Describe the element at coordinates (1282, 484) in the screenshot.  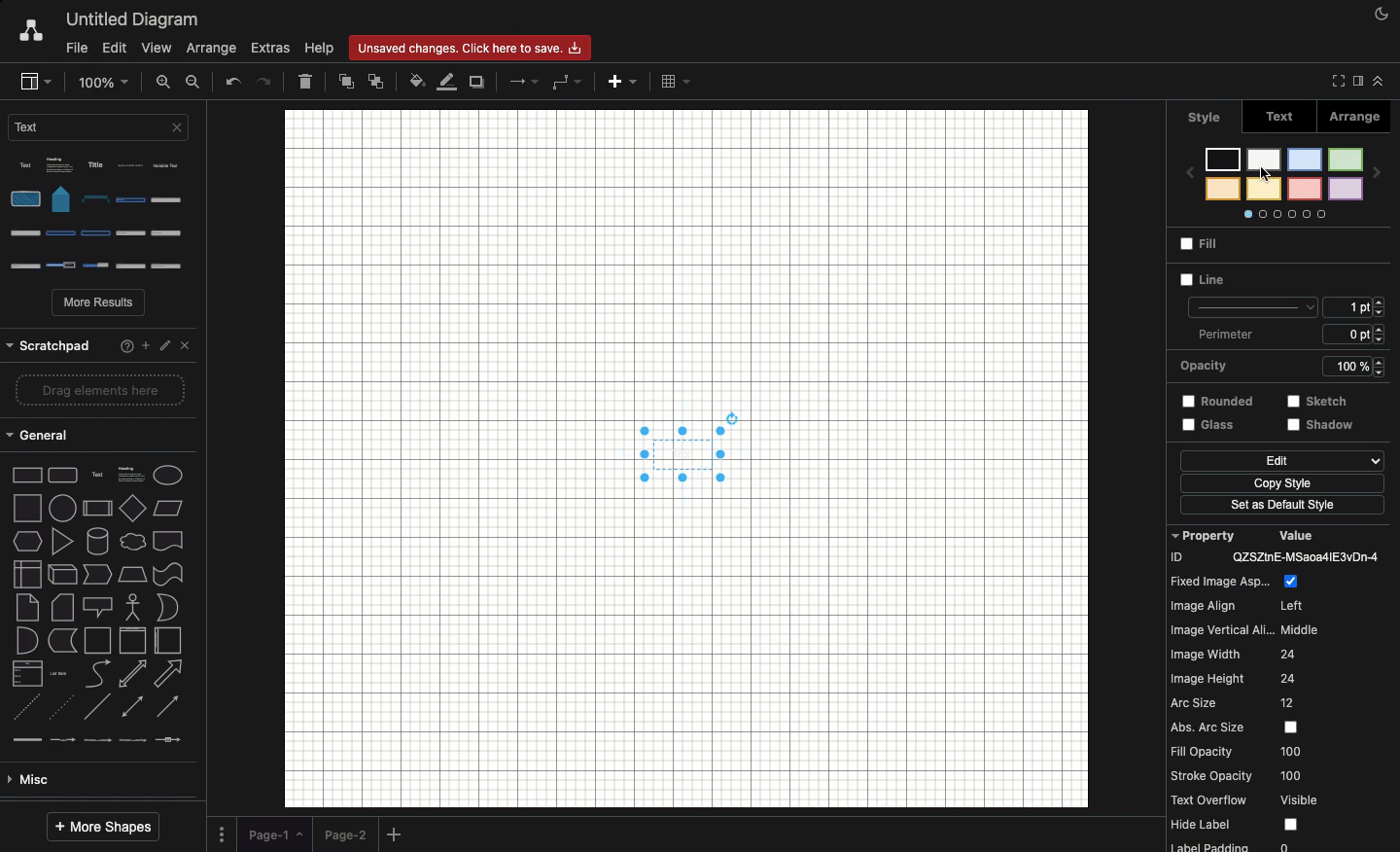
I see `Copy style` at that location.